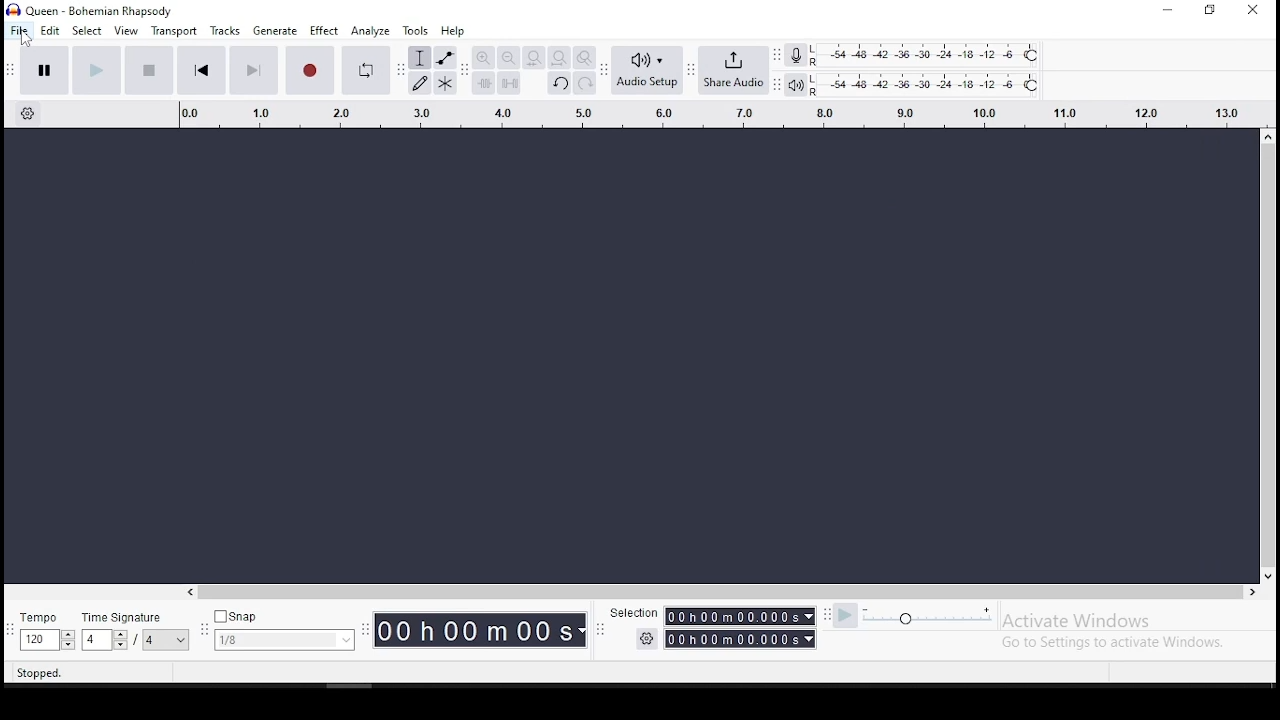  I want to click on help, so click(451, 31).